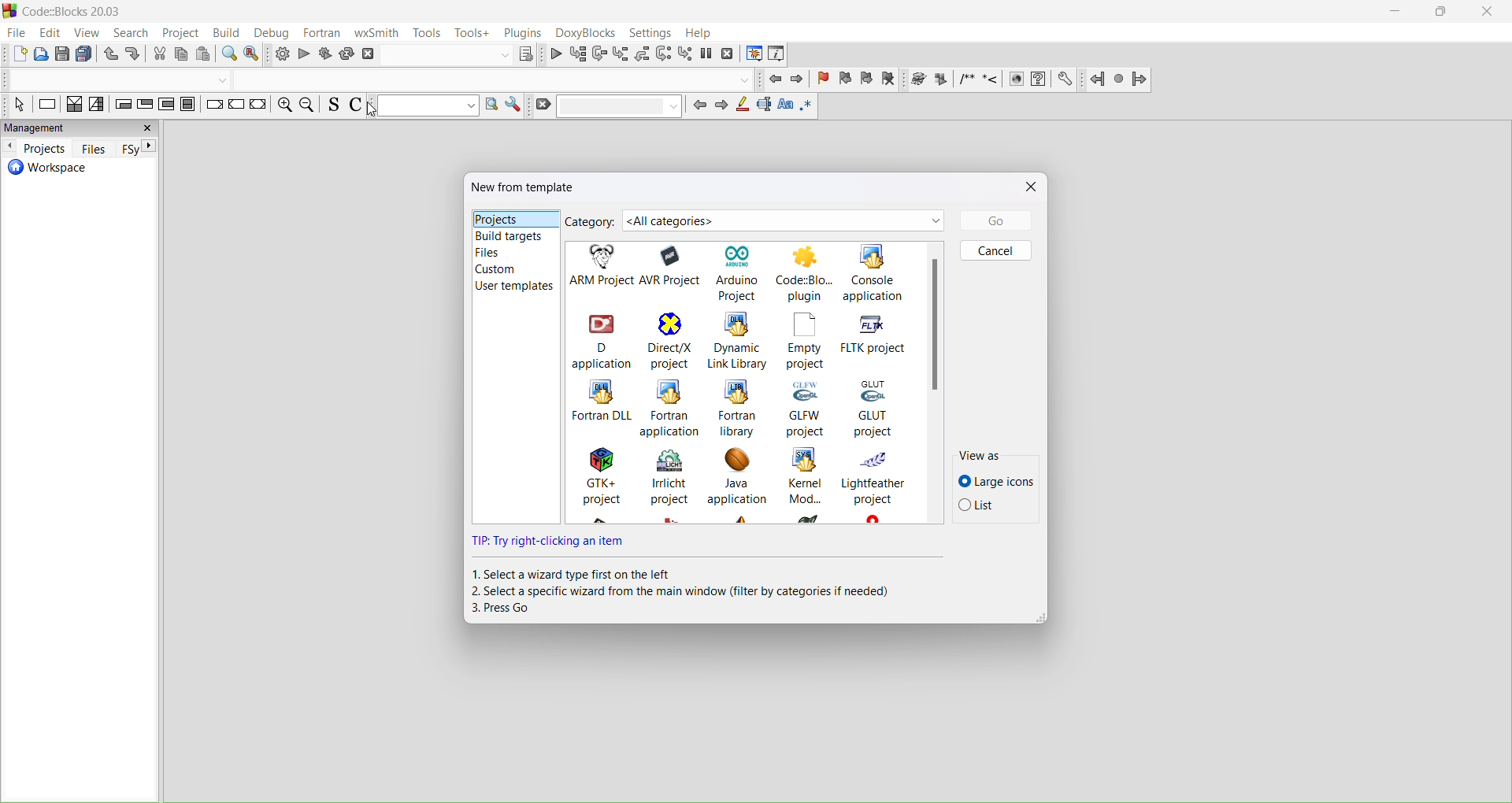 This screenshot has width=1512, height=803. I want to click on file, so click(15, 33).